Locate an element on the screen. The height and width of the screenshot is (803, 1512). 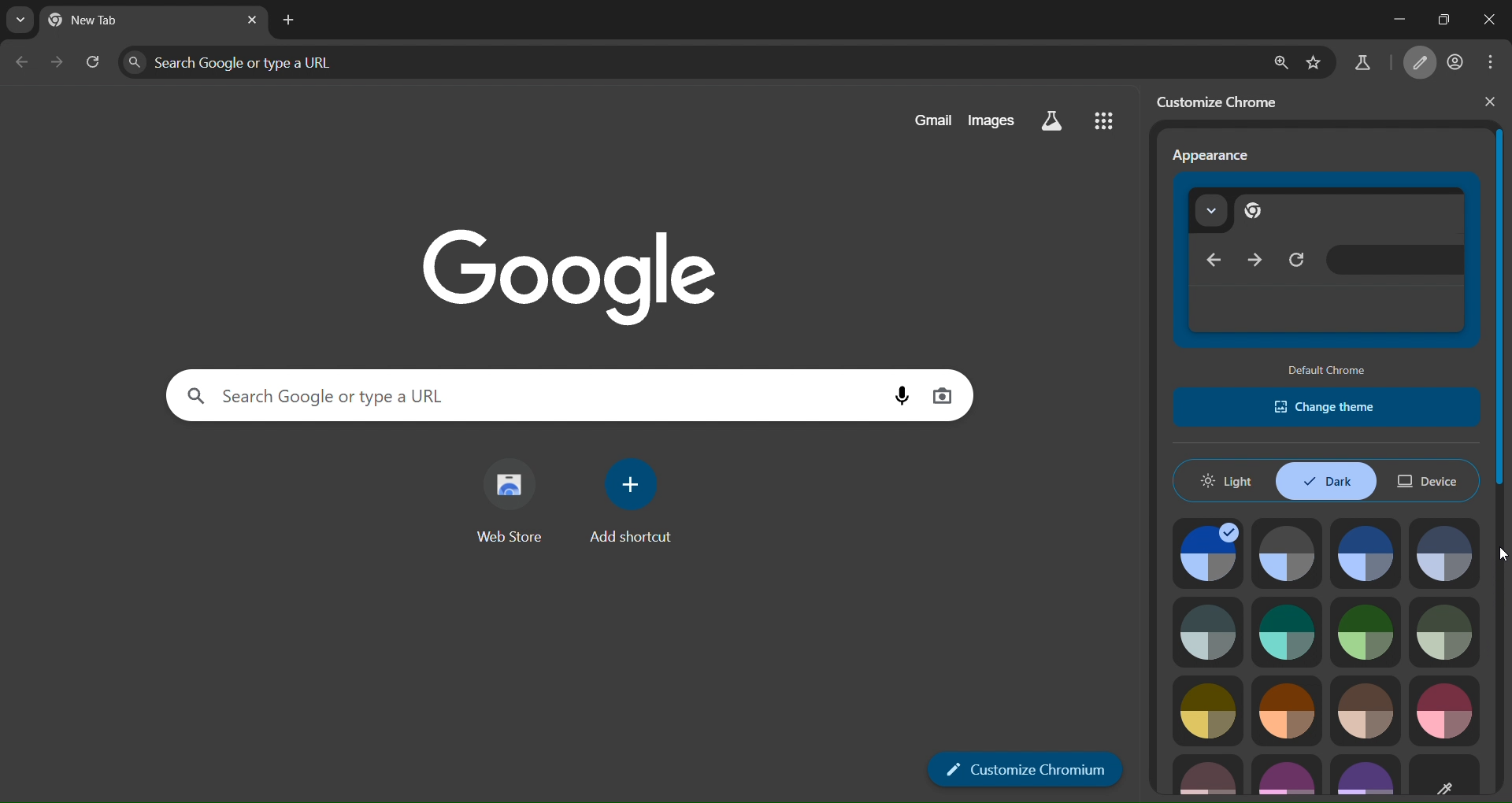
Search google or type a URL is located at coordinates (528, 395).